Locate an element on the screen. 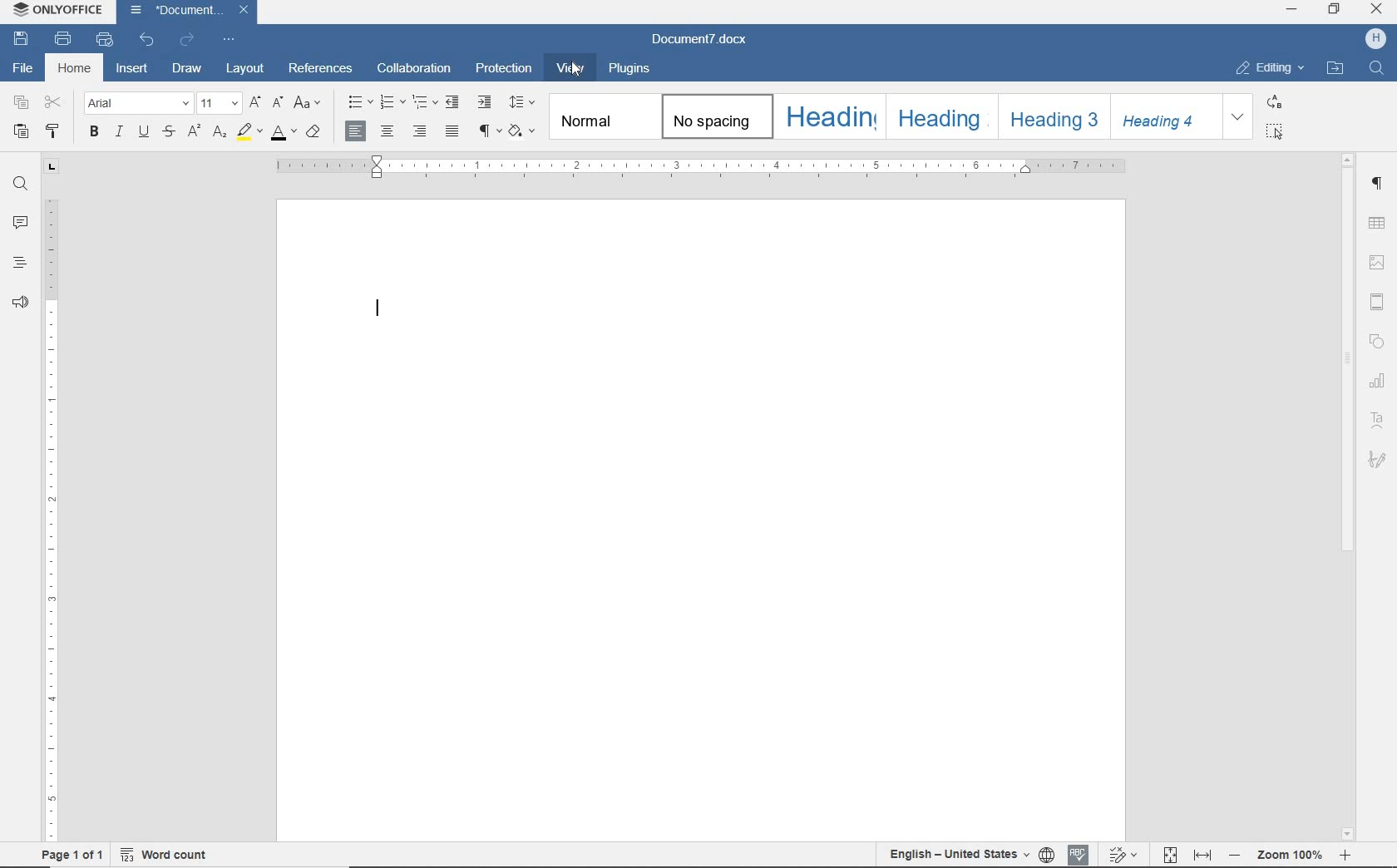 Image resolution: width=1397 pixels, height=868 pixels. INCREASE INDENT is located at coordinates (486, 101).